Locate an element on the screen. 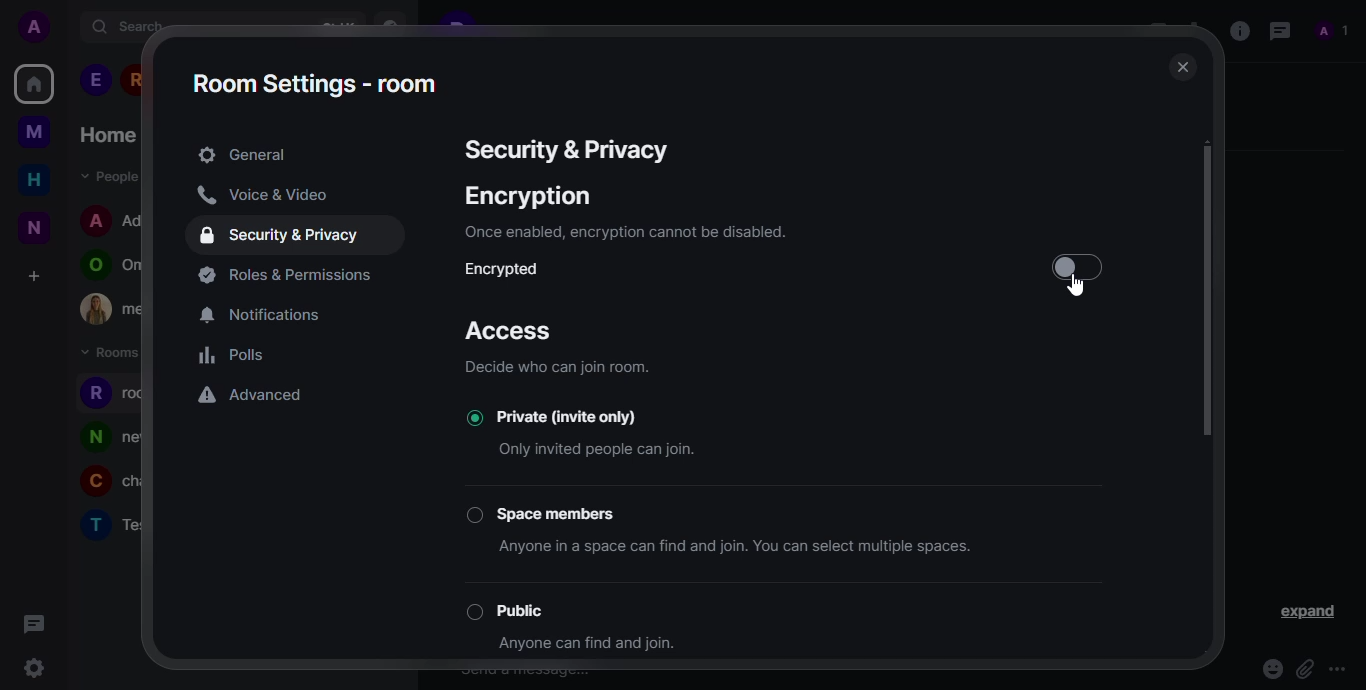 This screenshot has height=690, width=1366. myspace is located at coordinates (33, 133).